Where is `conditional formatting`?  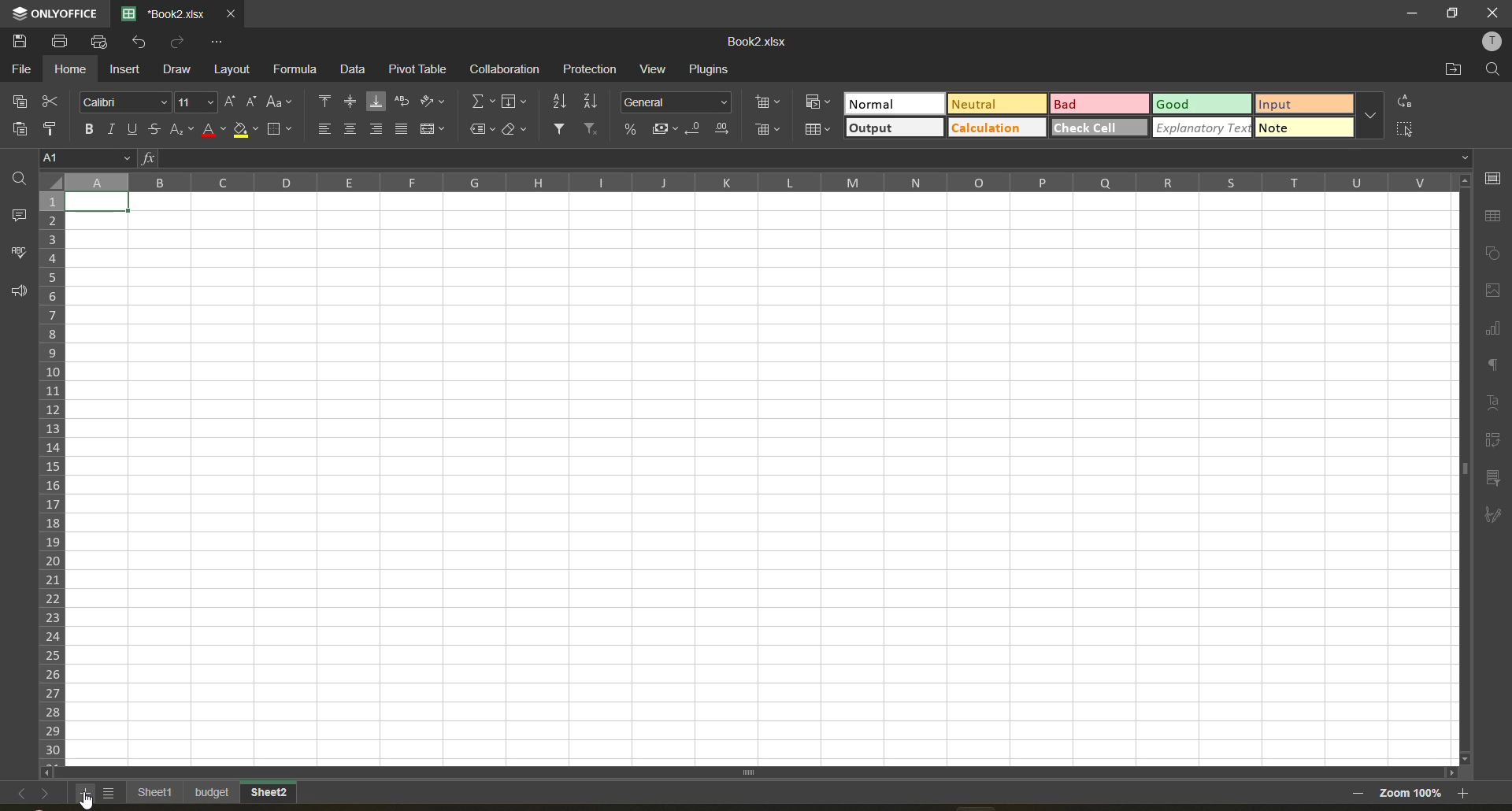
conditional formatting is located at coordinates (816, 102).